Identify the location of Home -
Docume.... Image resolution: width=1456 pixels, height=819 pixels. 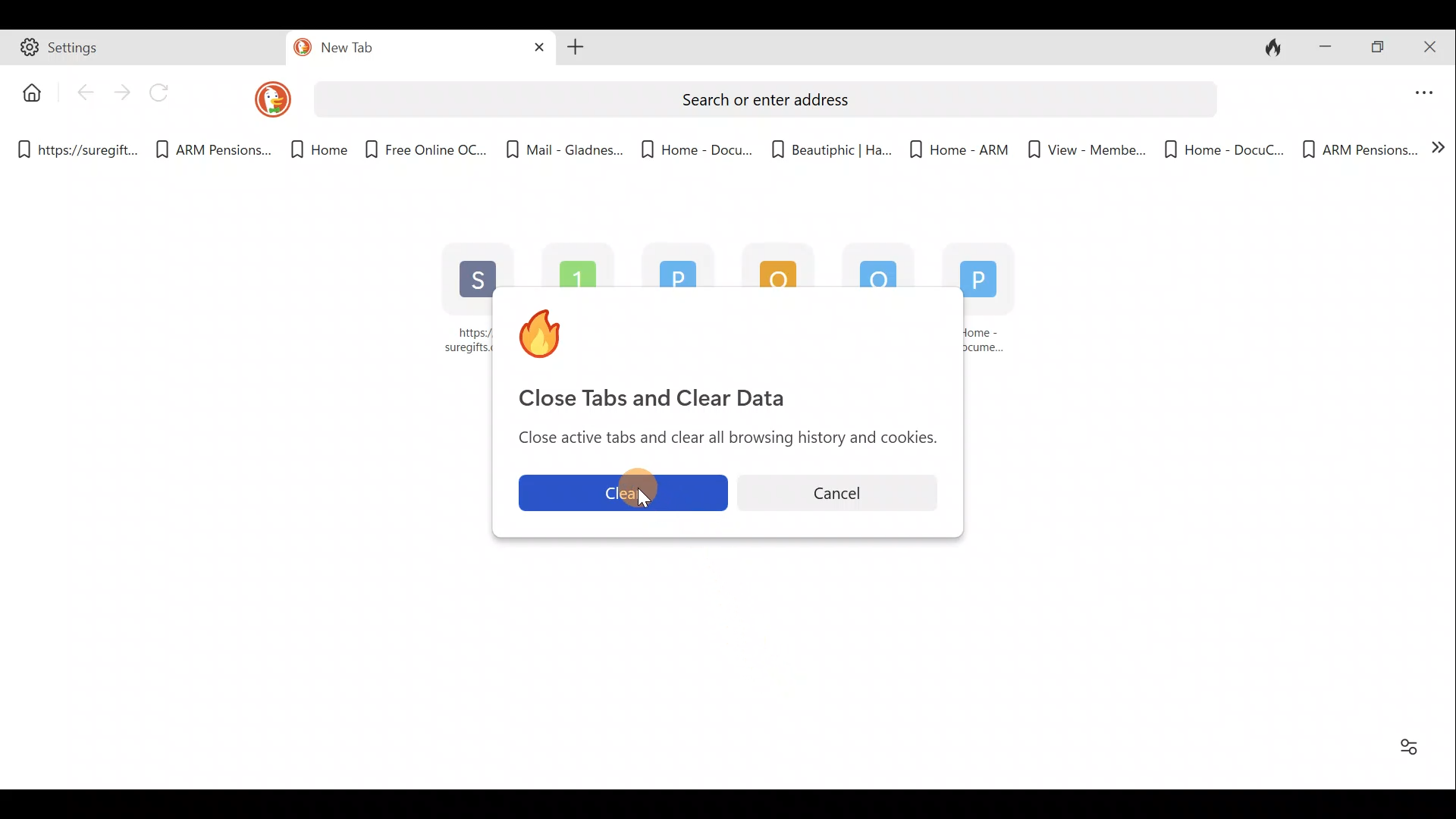
(996, 308).